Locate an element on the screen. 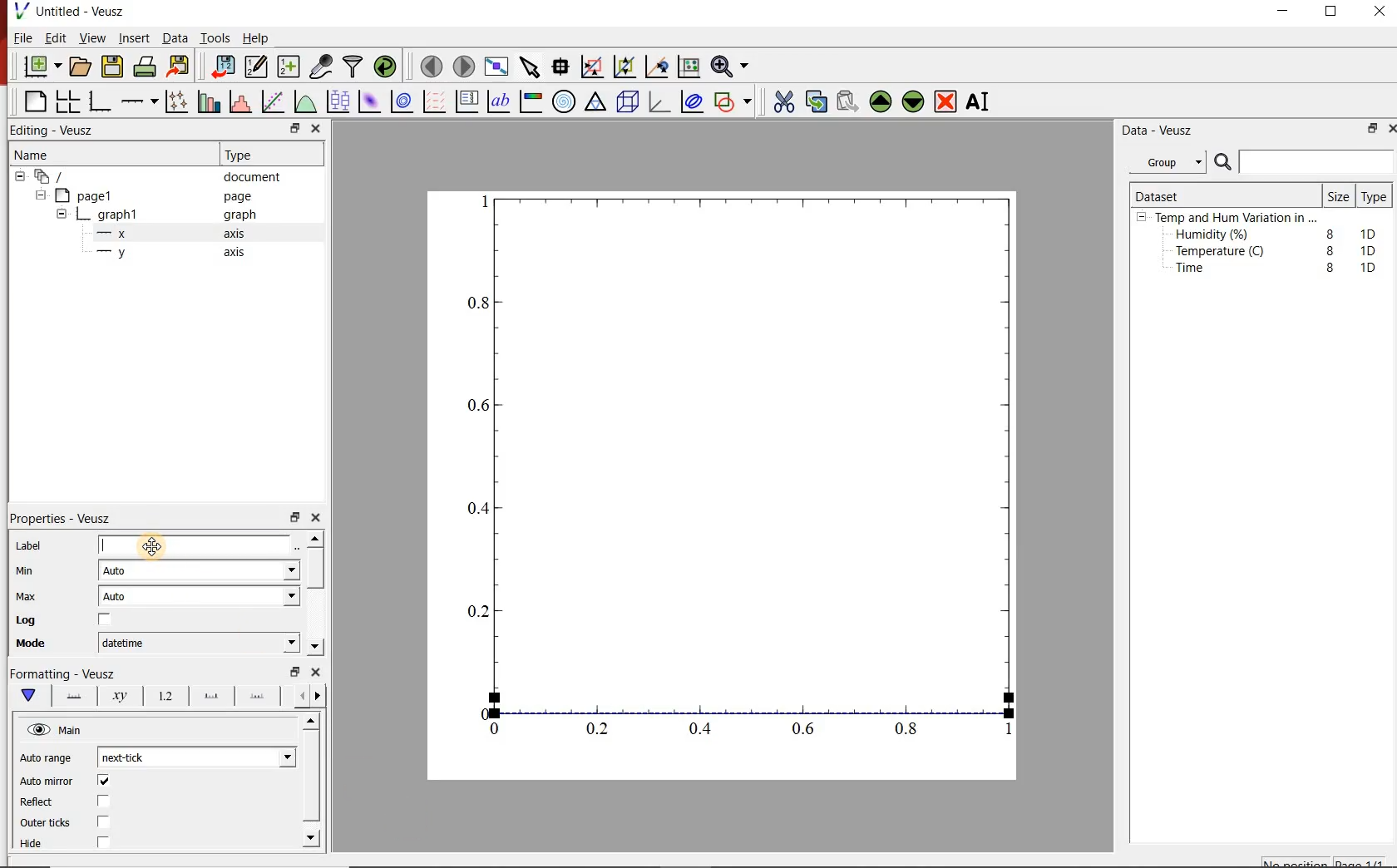 This screenshot has width=1397, height=868. 0.4 is located at coordinates (703, 730).